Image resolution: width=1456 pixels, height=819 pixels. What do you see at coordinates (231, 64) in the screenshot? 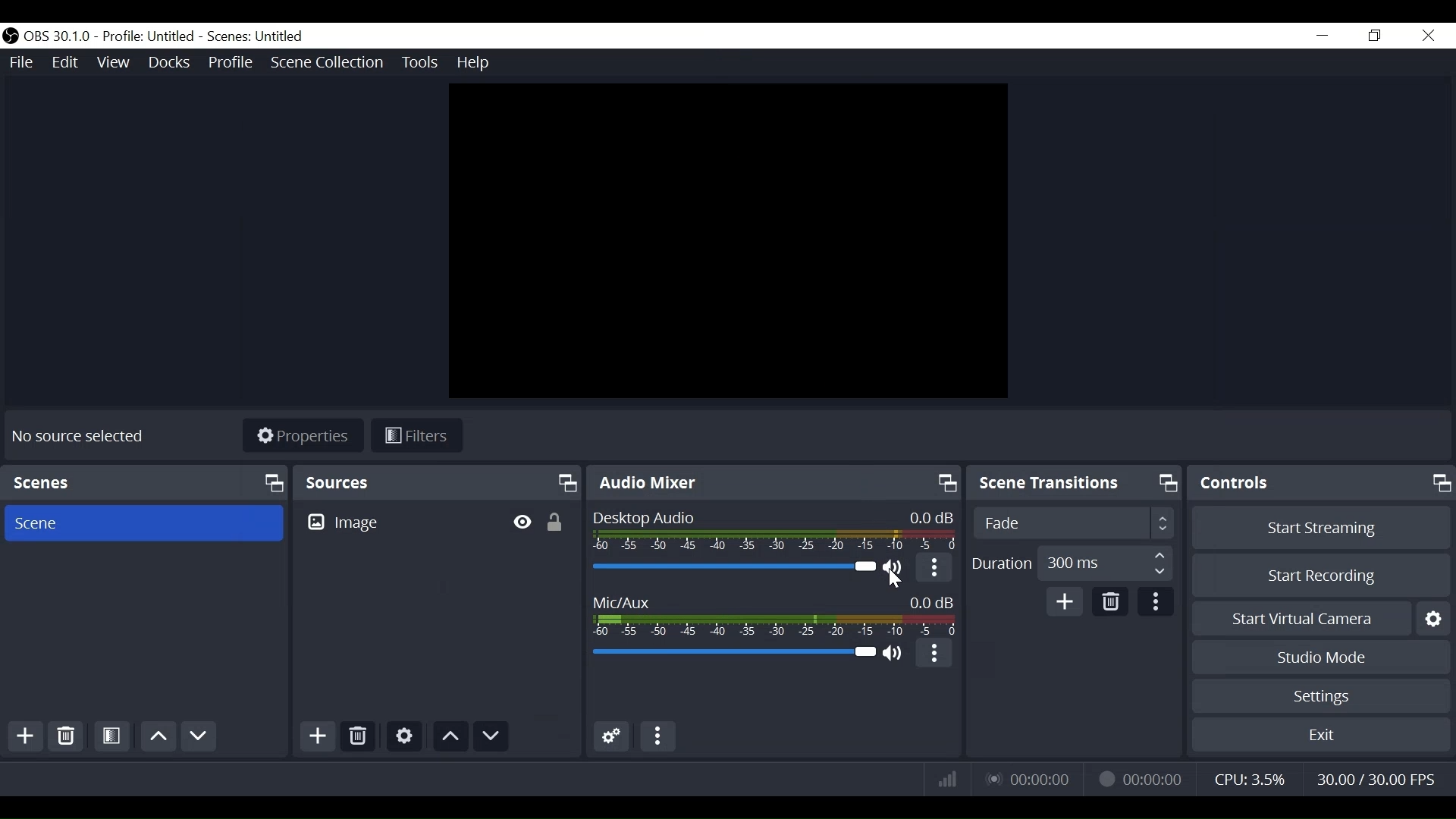
I see `Profile` at bounding box center [231, 64].